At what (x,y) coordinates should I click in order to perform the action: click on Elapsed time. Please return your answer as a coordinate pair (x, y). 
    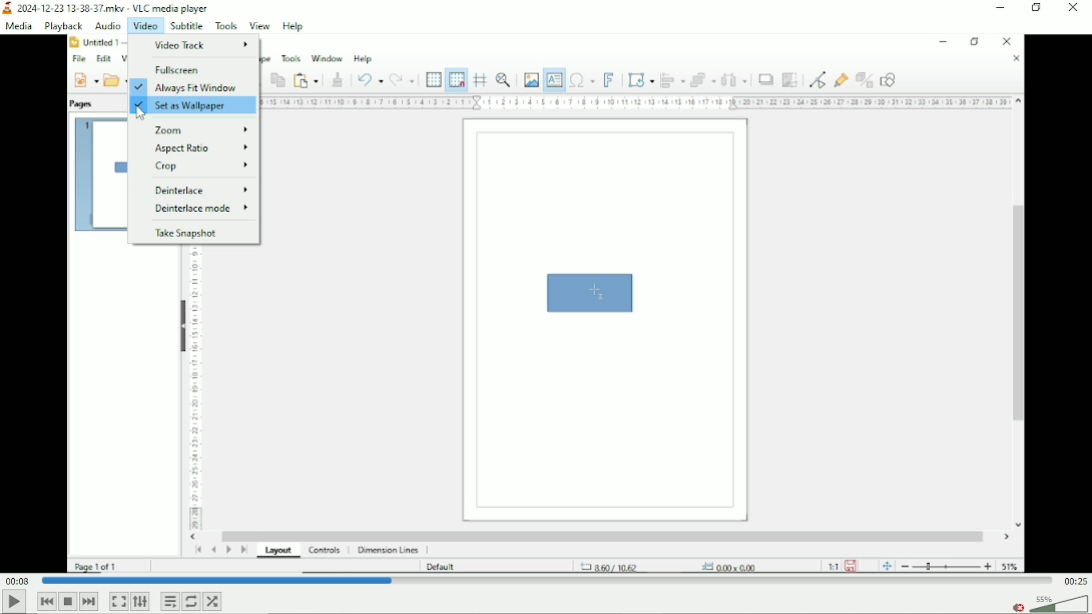
    Looking at the image, I should click on (18, 581).